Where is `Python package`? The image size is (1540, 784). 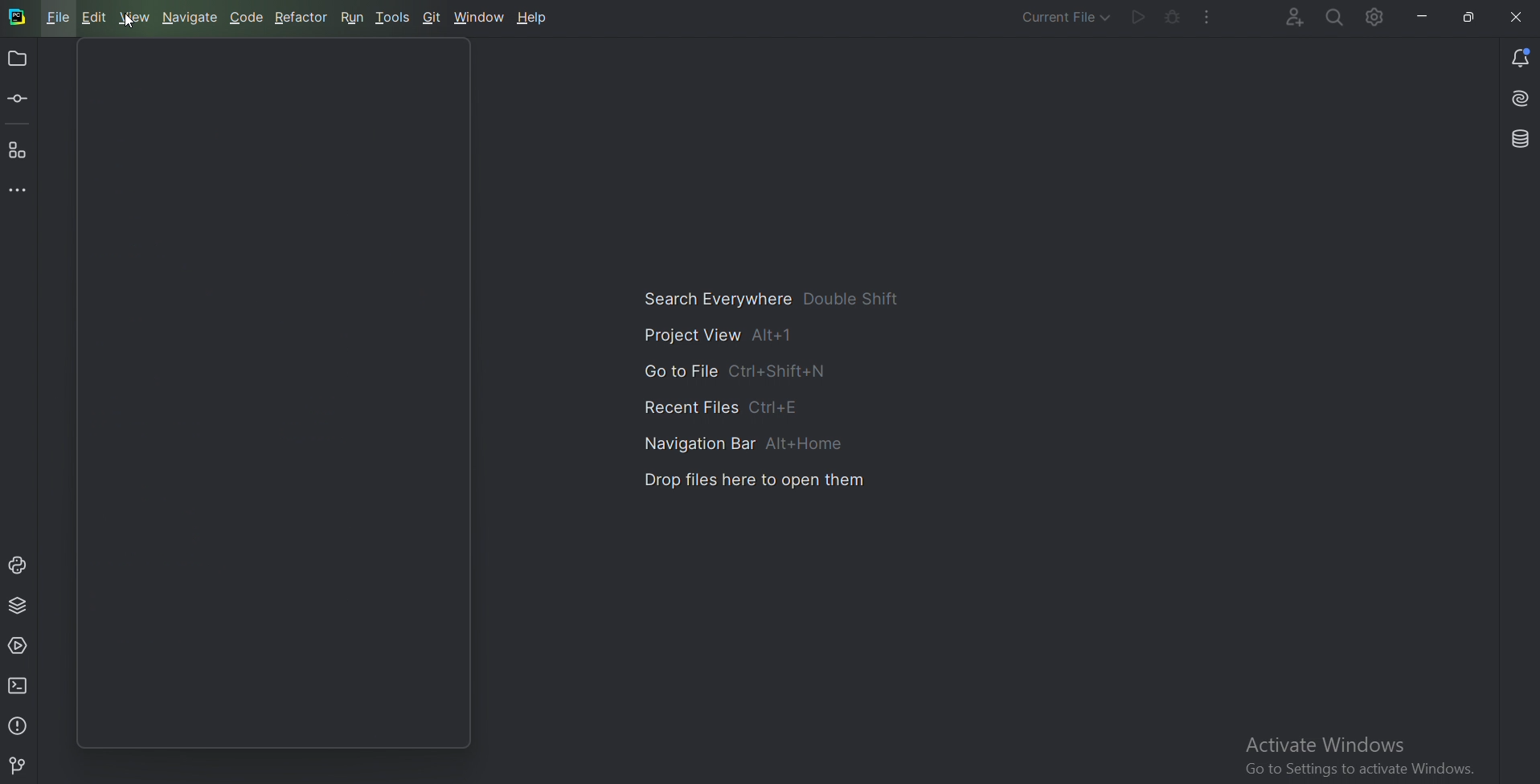 Python package is located at coordinates (18, 604).